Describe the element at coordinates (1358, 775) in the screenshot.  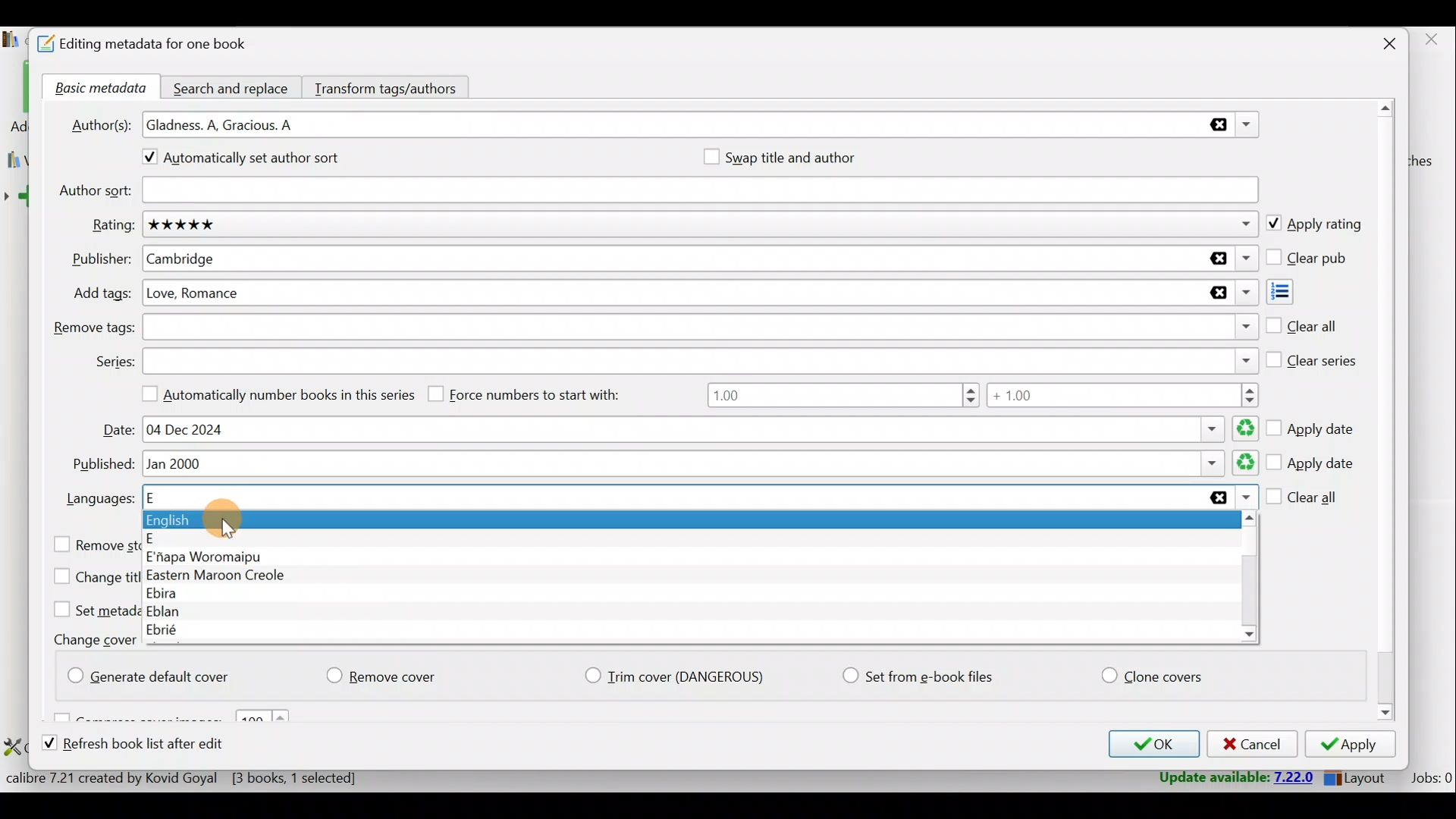
I see `Layout` at that location.